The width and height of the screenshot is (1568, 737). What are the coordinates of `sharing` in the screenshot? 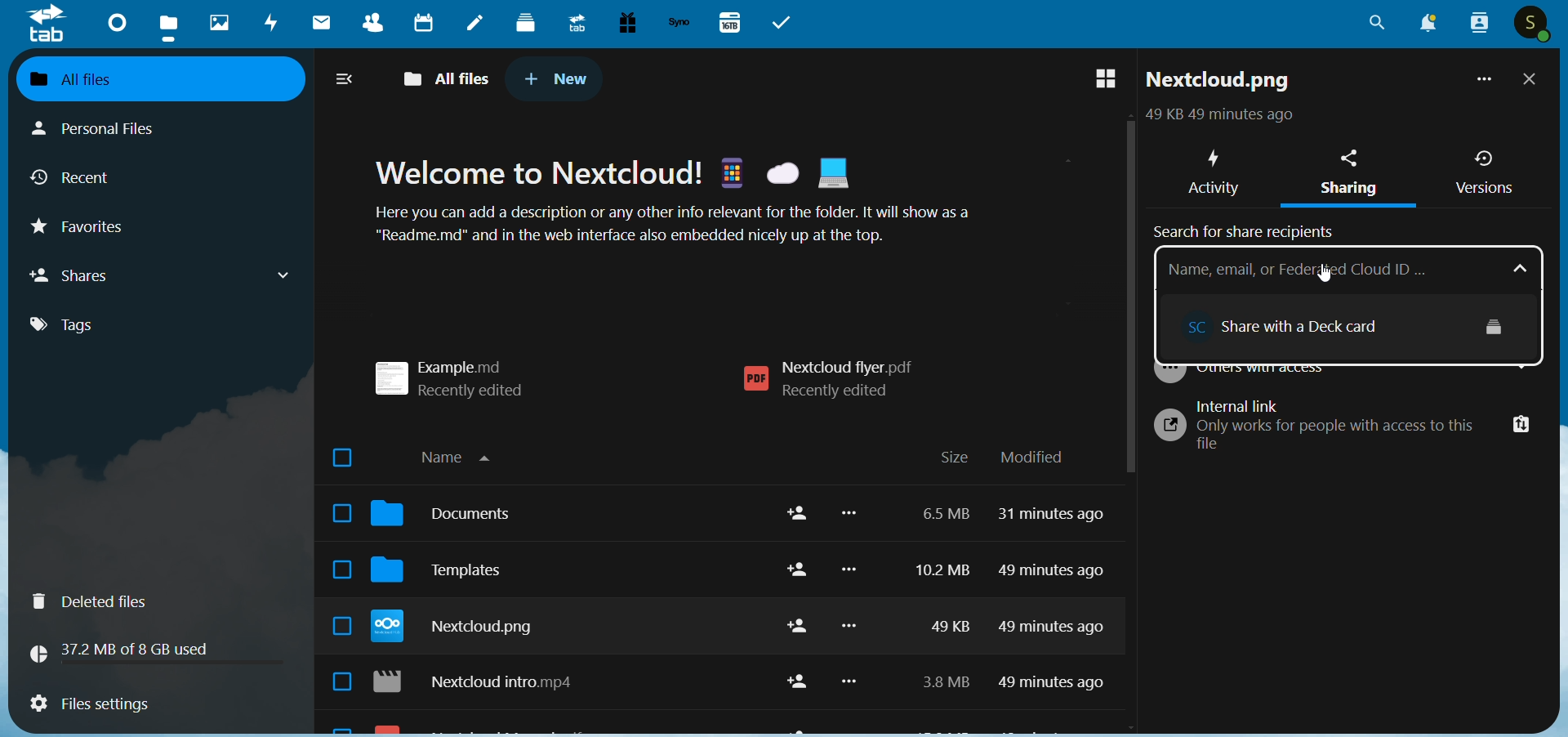 It's located at (1354, 176).